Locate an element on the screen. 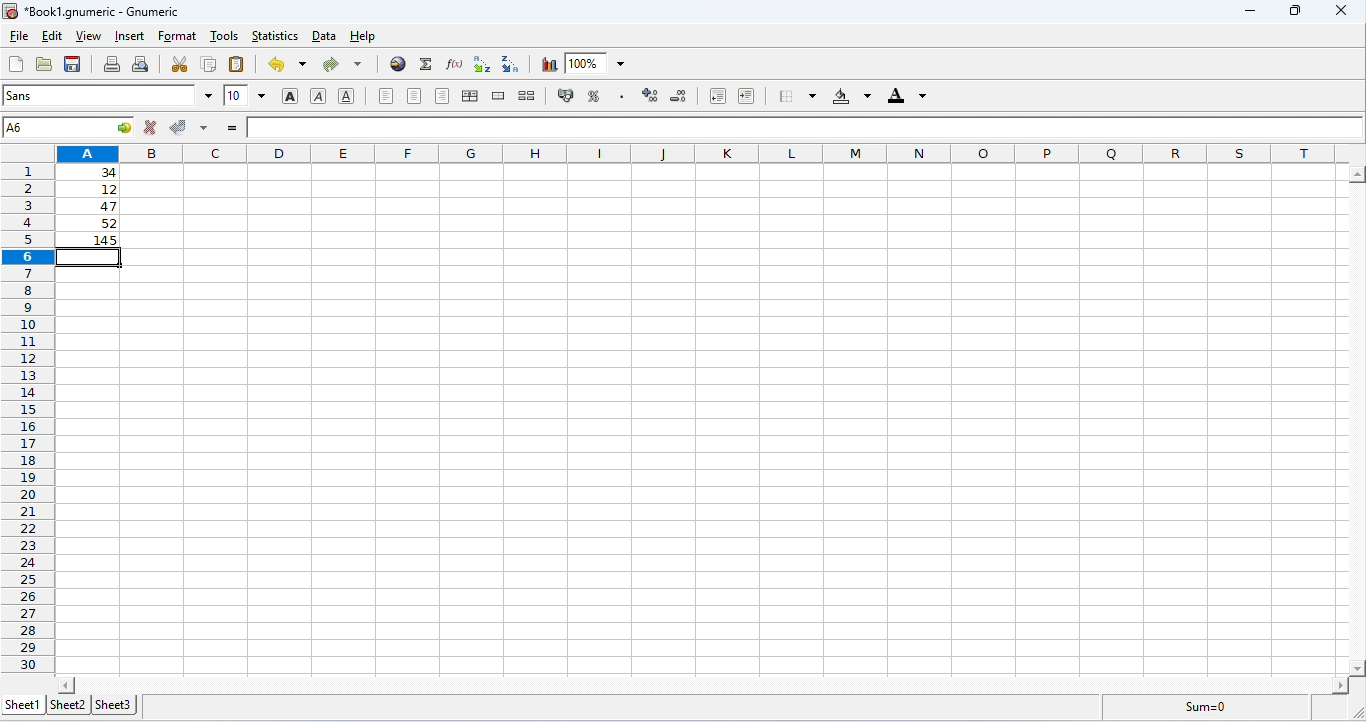  statistics is located at coordinates (274, 36).